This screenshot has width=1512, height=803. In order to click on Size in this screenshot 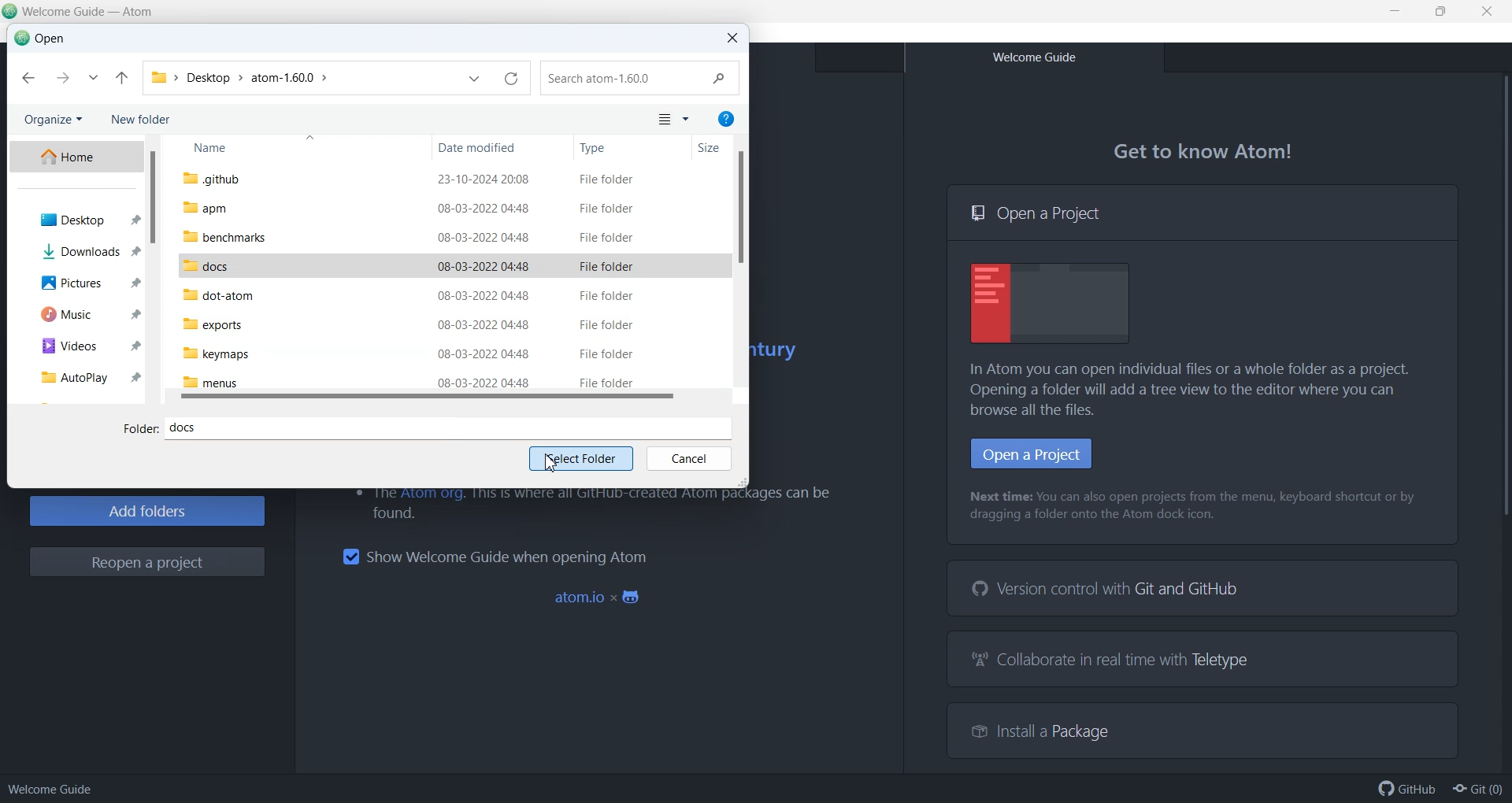, I will do `click(717, 149)`.